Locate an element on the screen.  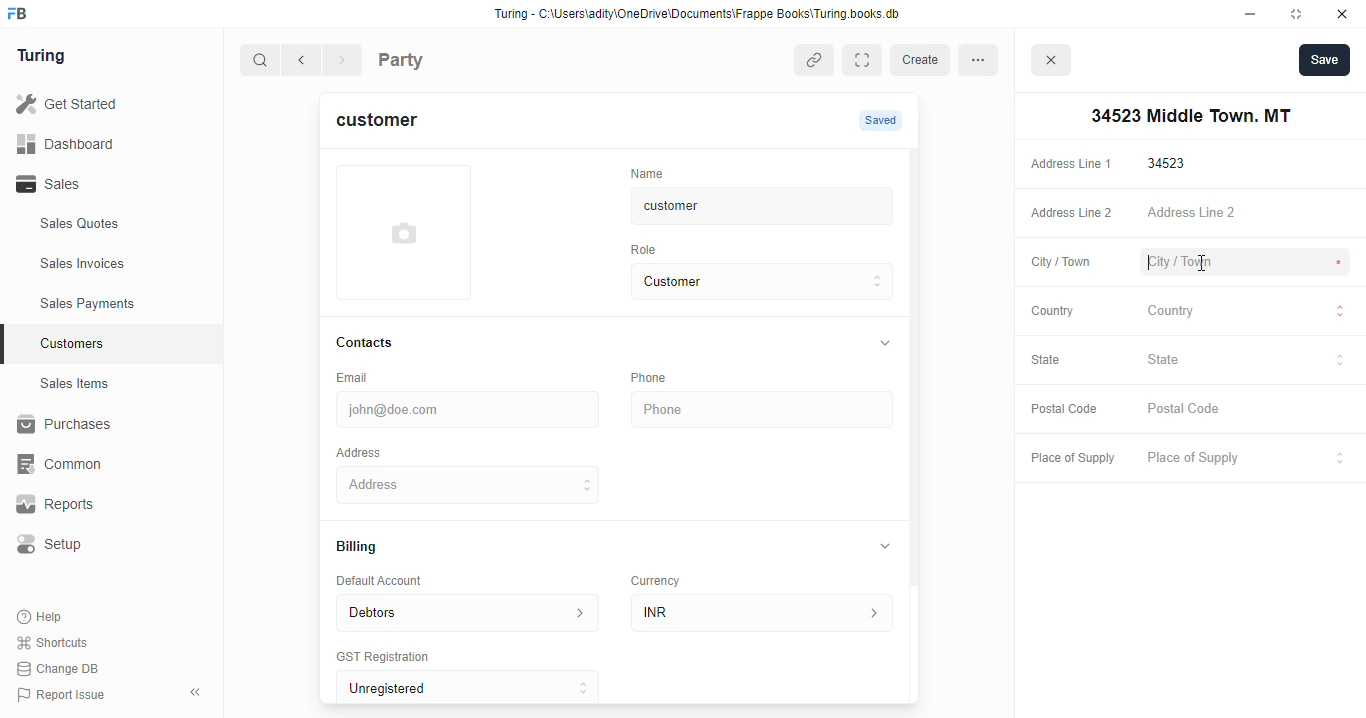
Address Line 2 is located at coordinates (1067, 214).